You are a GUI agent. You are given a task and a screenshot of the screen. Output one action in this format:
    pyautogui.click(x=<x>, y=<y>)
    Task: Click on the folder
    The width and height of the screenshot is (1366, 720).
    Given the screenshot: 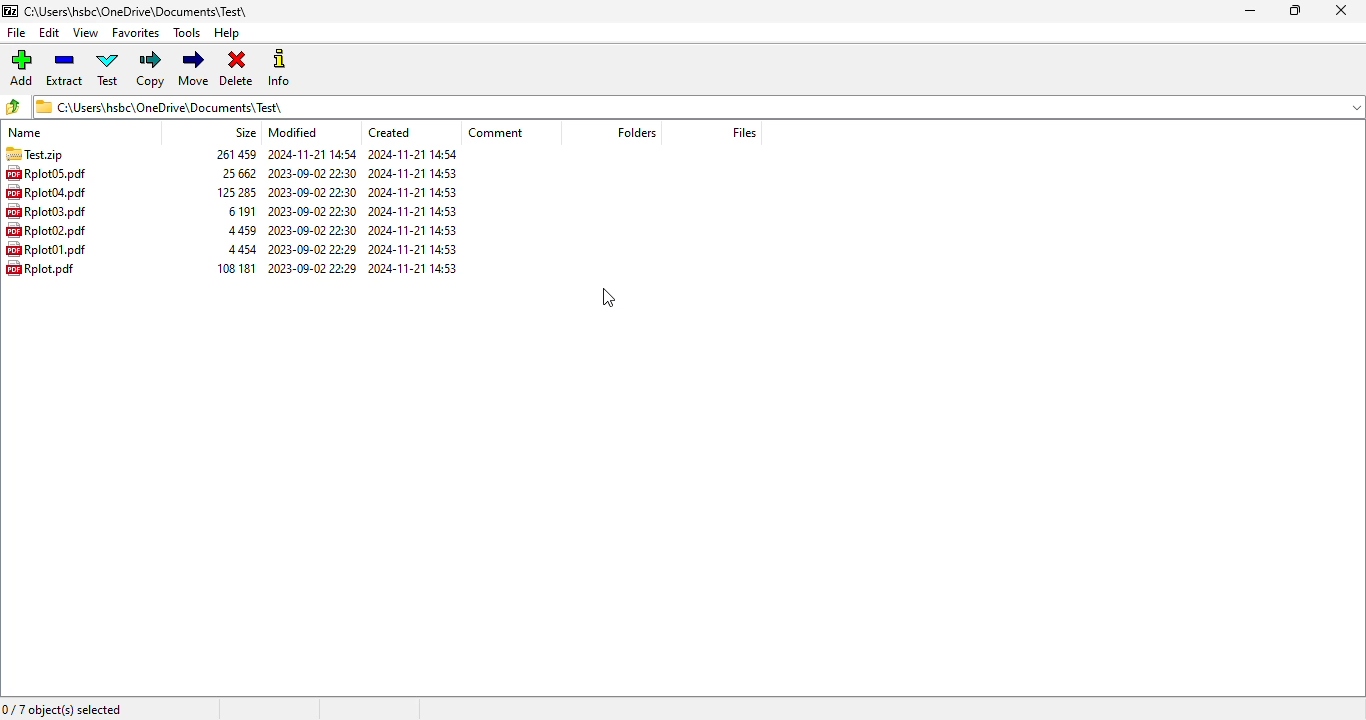 What is the action you would take?
    pyautogui.click(x=138, y=11)
    